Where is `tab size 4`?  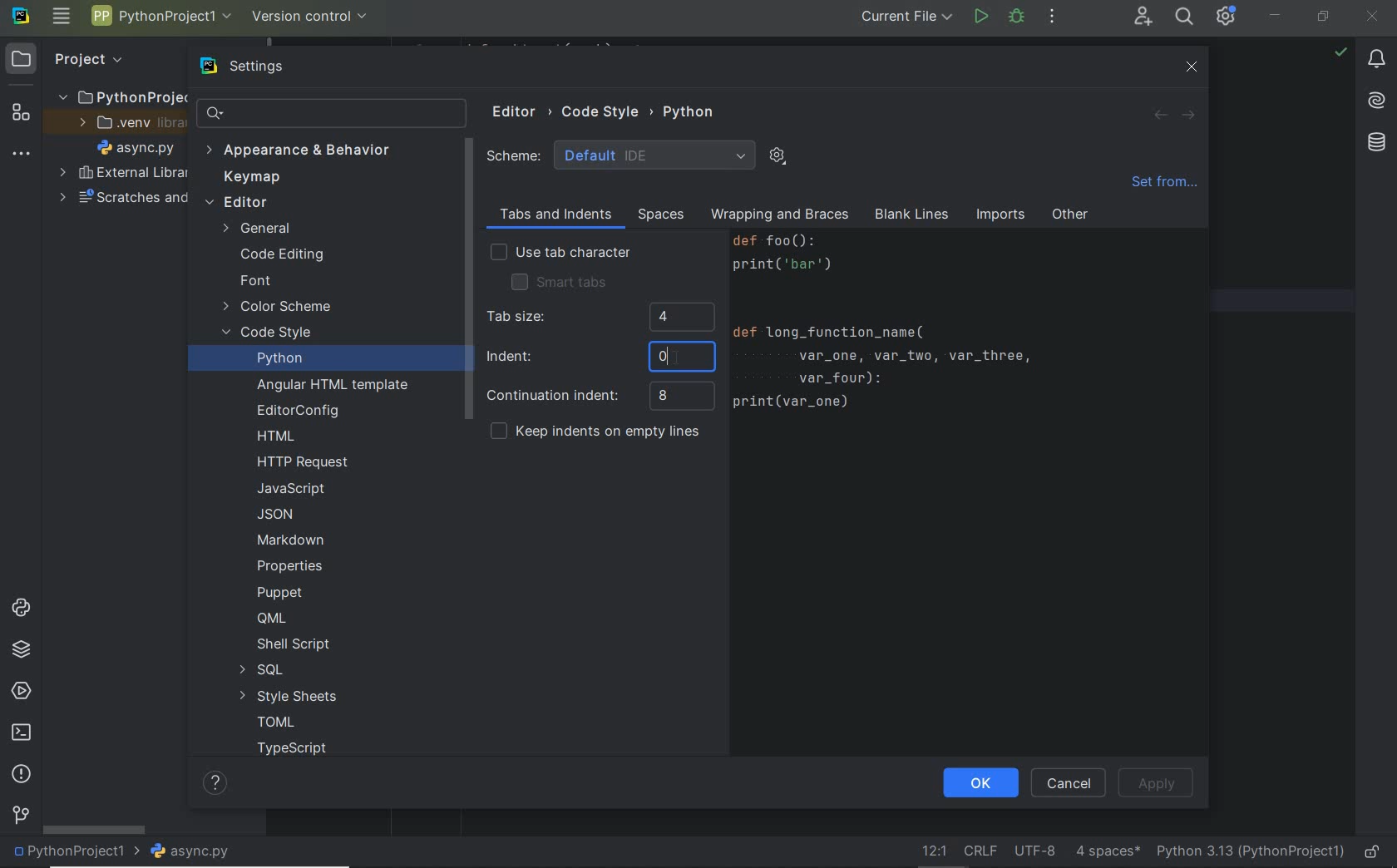 tab size 4 is located at coordinates (599, 318).